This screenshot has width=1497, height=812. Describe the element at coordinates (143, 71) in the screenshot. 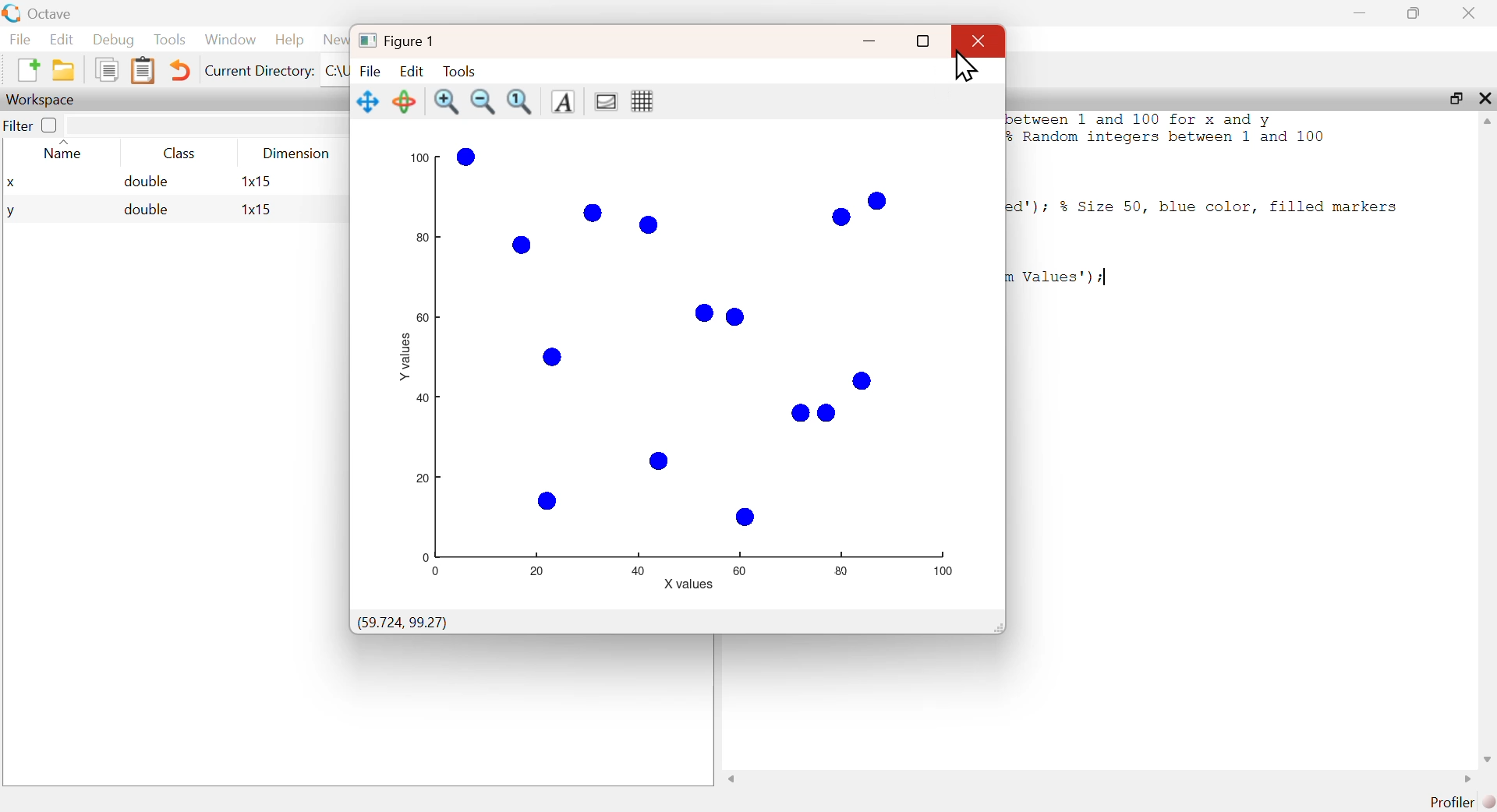

I see `Clipboard` at that location.